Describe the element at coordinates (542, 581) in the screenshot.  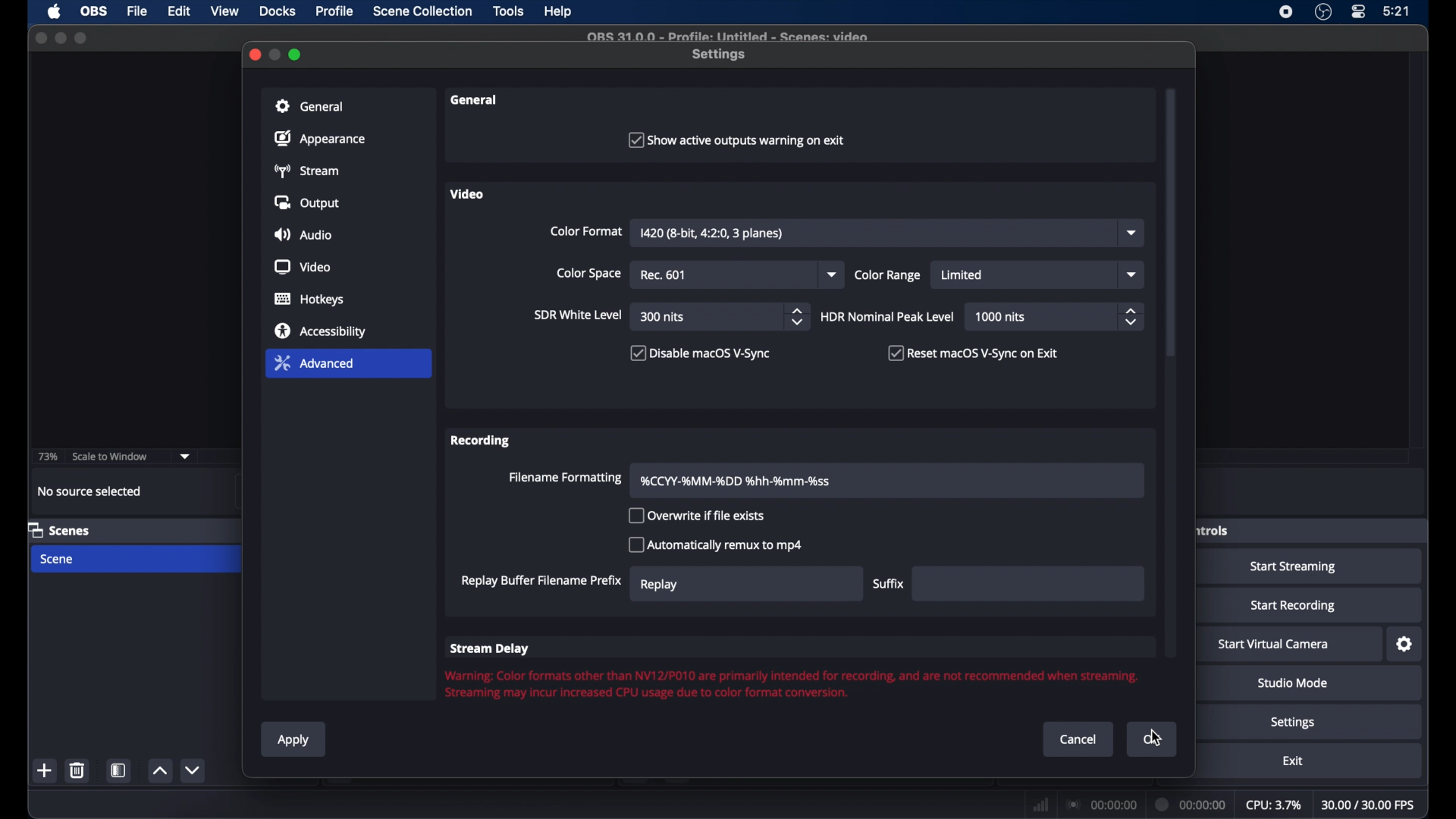
I see `replay buffer` at that location.